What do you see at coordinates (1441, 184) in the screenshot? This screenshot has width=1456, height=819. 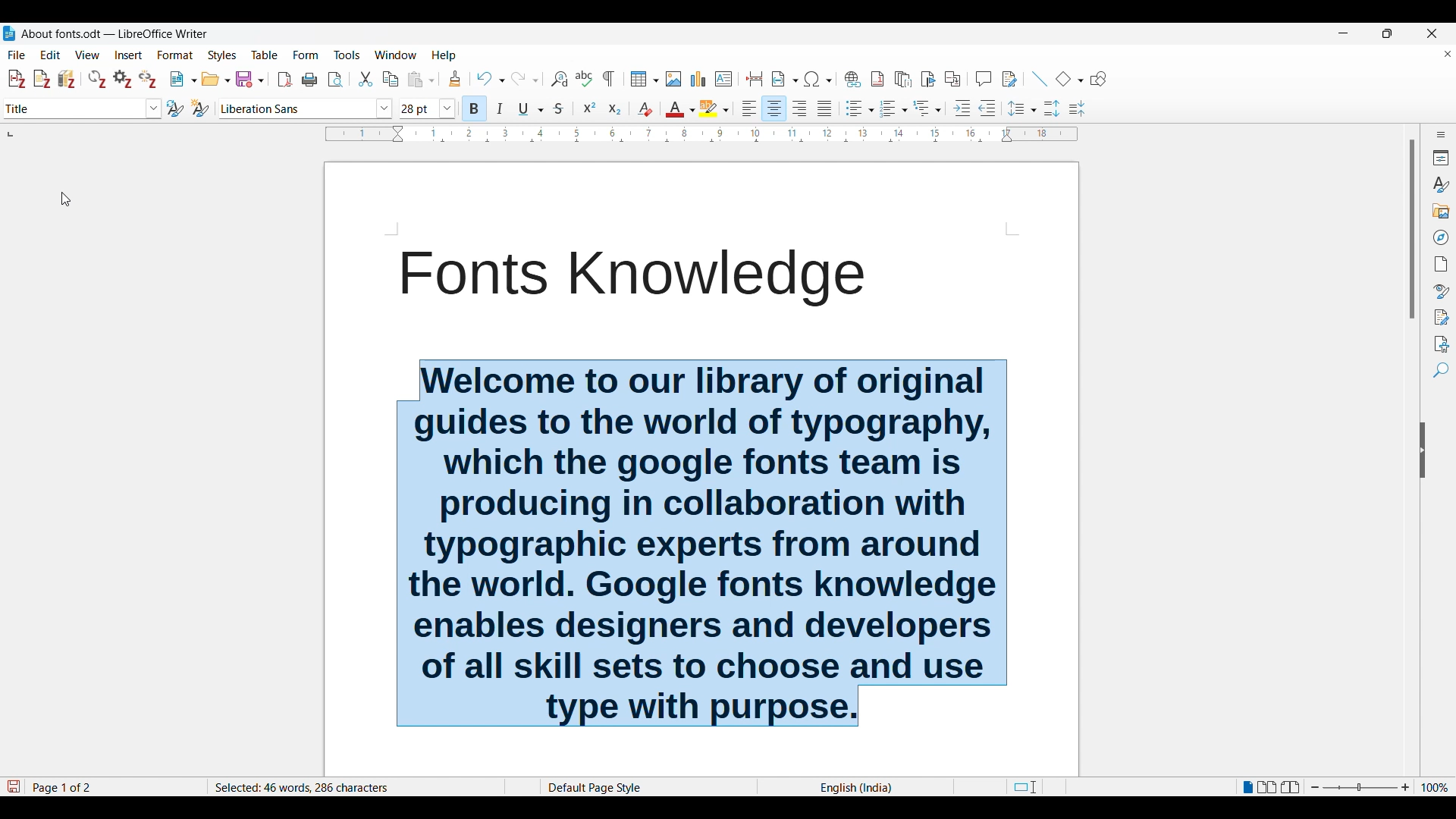 I see `Styles` at bounding box center [1441, 184].